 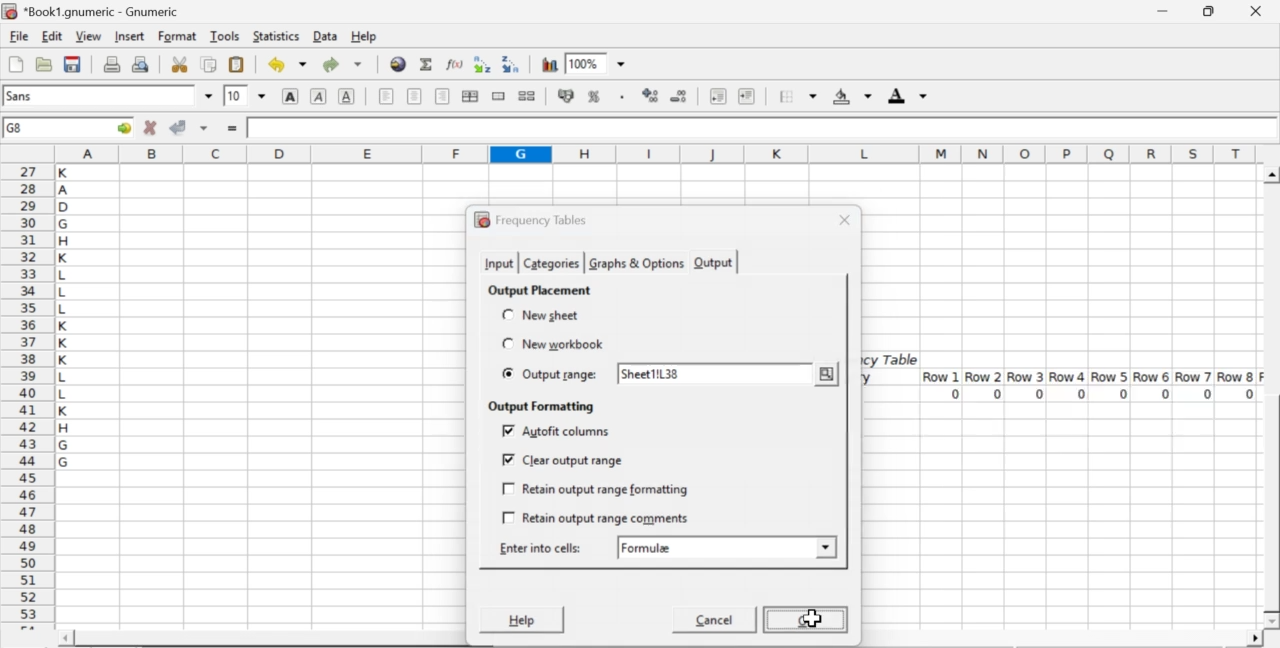 I want to click on output, so click(x=714, y=263).